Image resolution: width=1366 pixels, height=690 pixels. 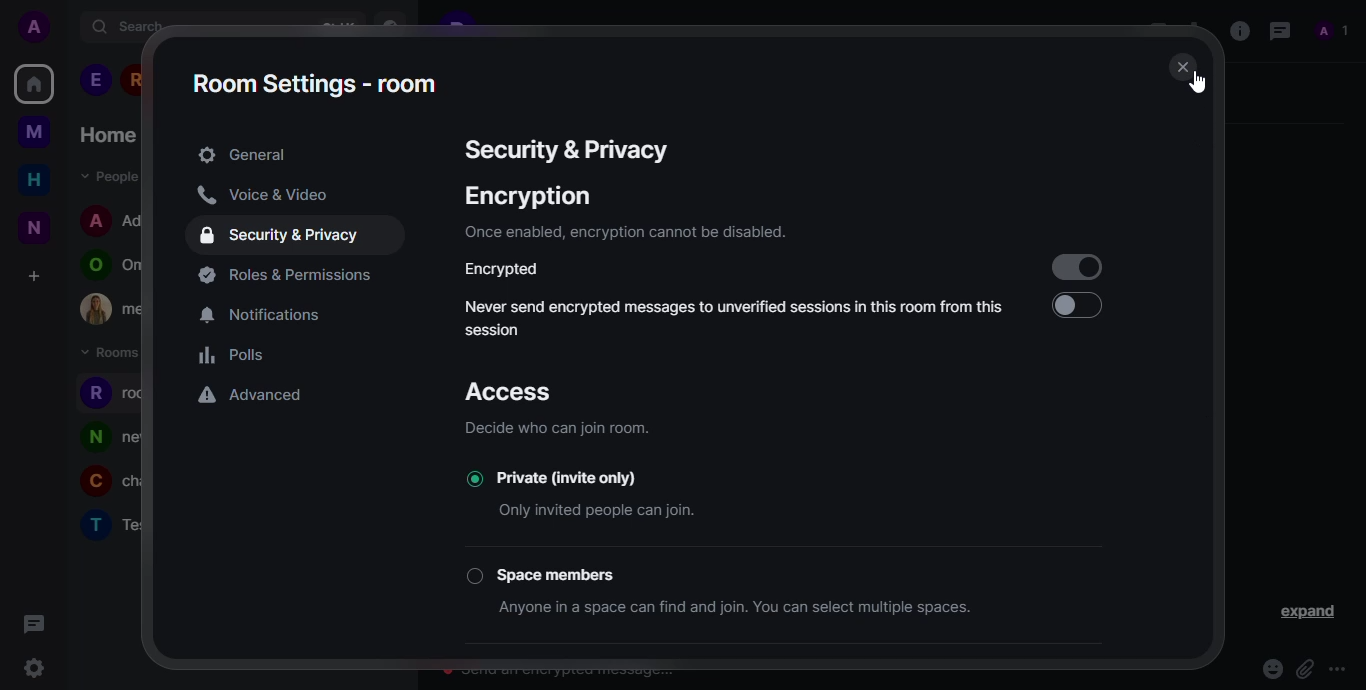 What do you see at coordinates (1304, 611) in the screenshot?
I see `expand` at bounding box center [1304, 611].